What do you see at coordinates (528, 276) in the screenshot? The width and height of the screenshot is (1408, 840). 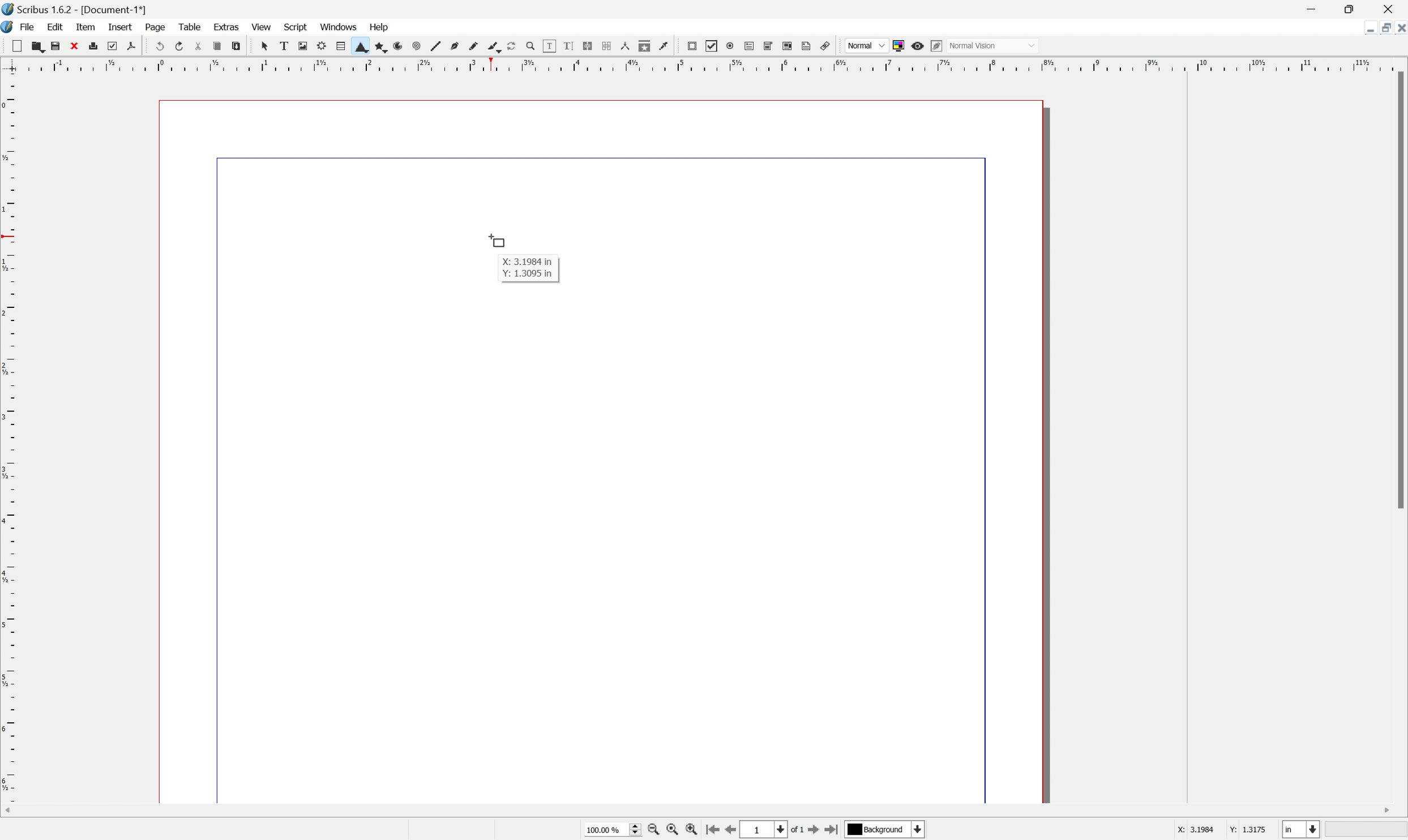 I see `Y: 1.3095 in` at bounding box center [528, 276].